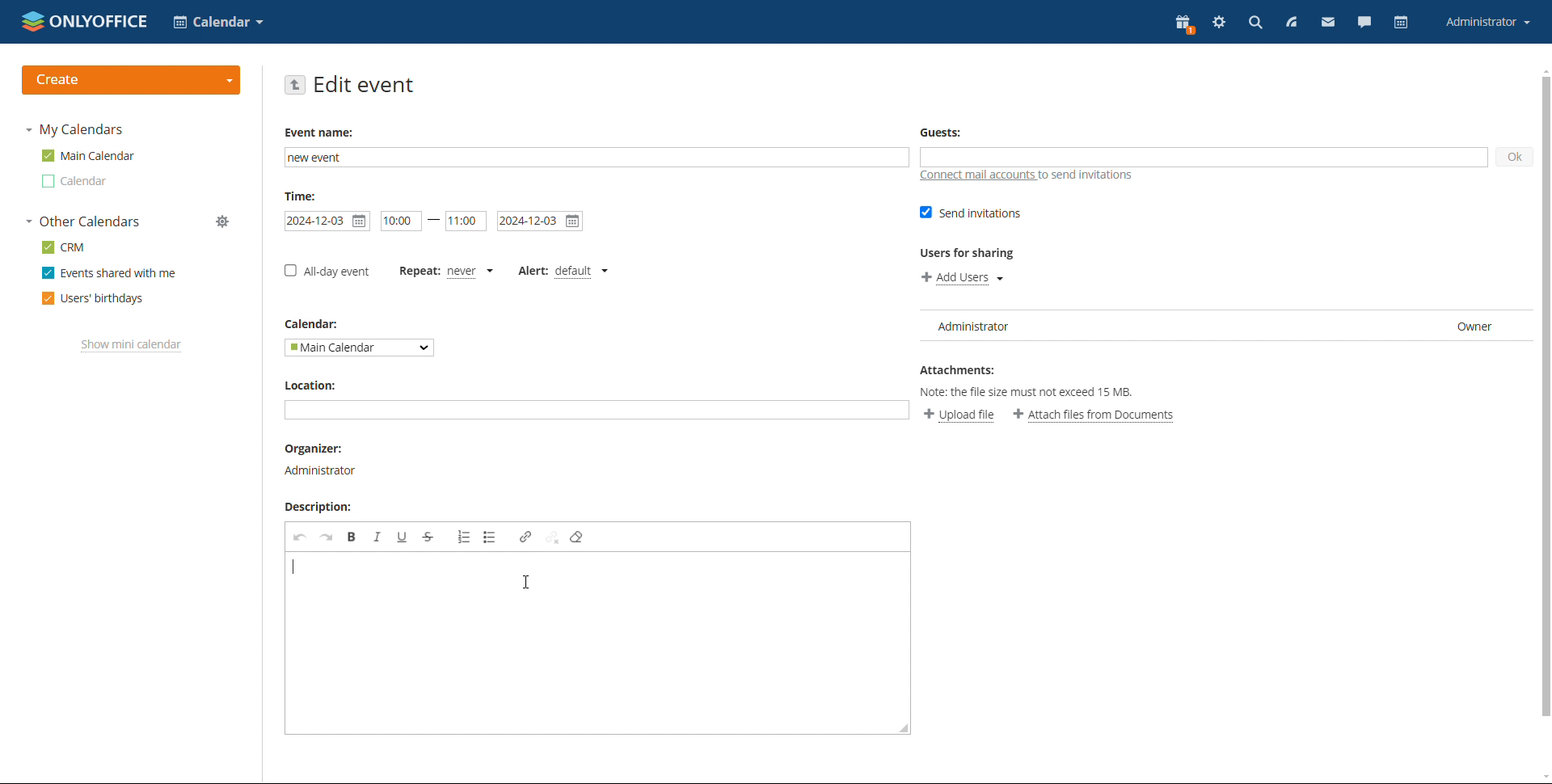  What do you see at coordinates (465, 537) in the screenshot?
I see `insert/remove bulleted list` at bounding box center [465, 537].